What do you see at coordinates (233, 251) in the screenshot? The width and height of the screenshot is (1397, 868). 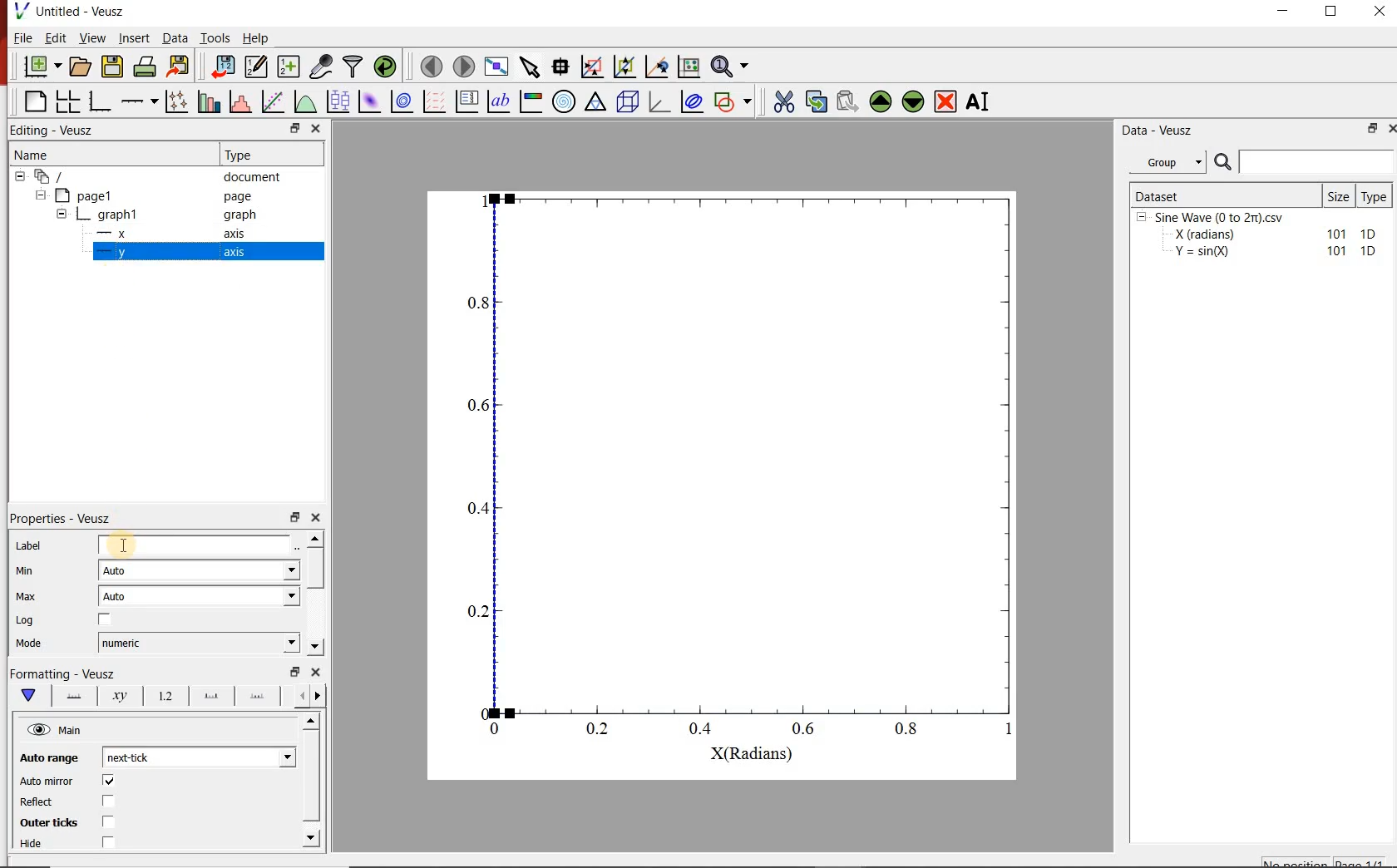 I see `axis` at bounding box center [233, 251].